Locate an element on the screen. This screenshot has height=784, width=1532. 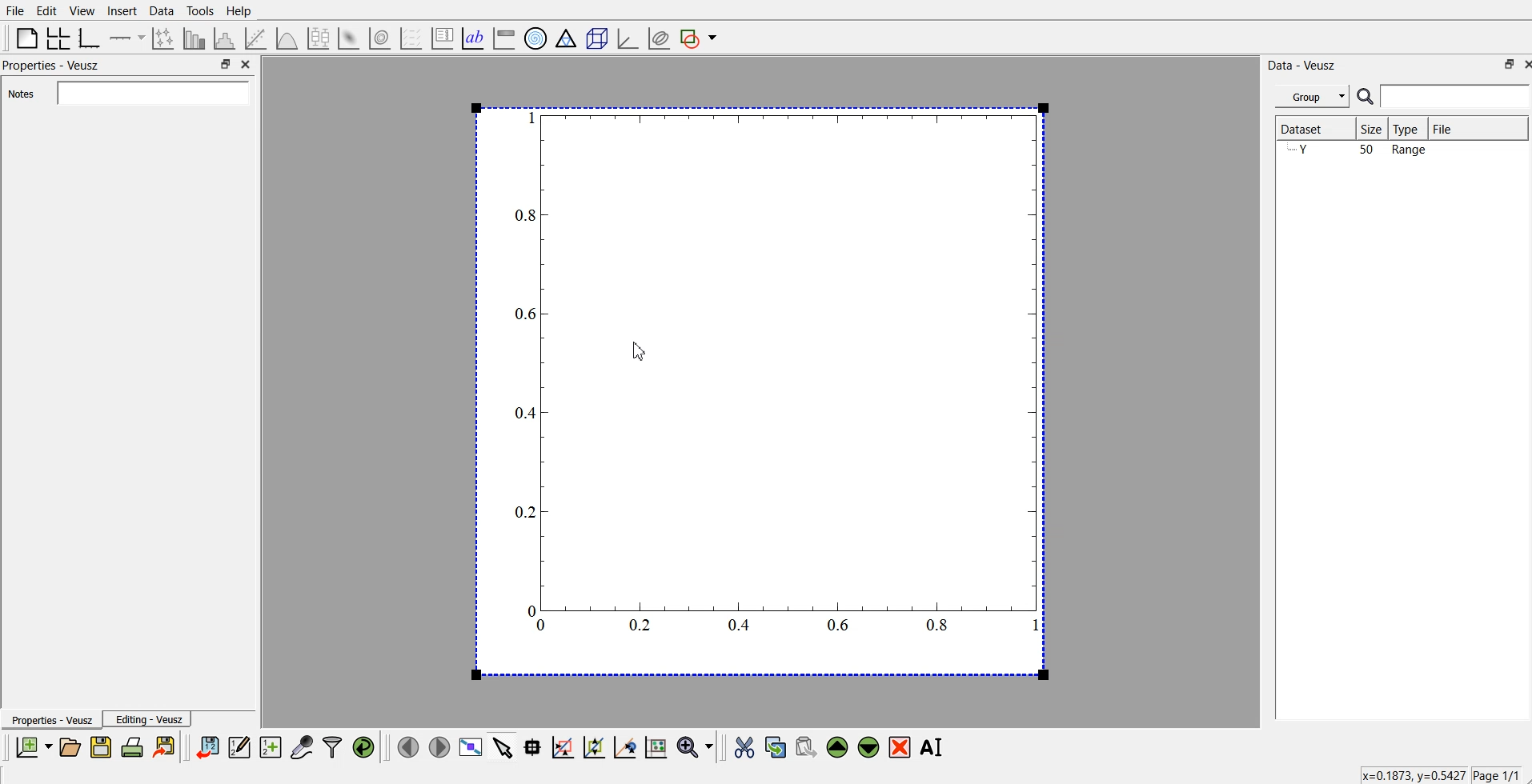
View is located at coordinates (82, 10).